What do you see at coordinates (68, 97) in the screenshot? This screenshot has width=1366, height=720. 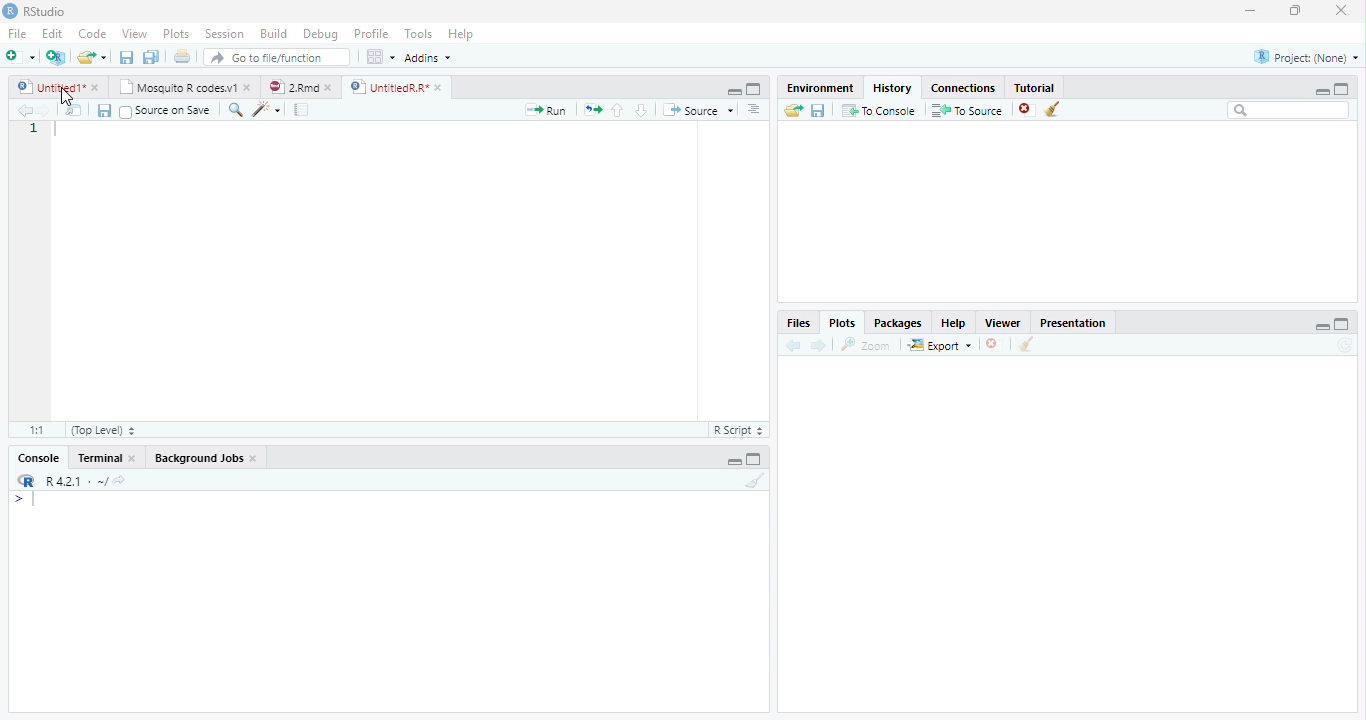 I see `Cursor` at bounding box center [68, 97].